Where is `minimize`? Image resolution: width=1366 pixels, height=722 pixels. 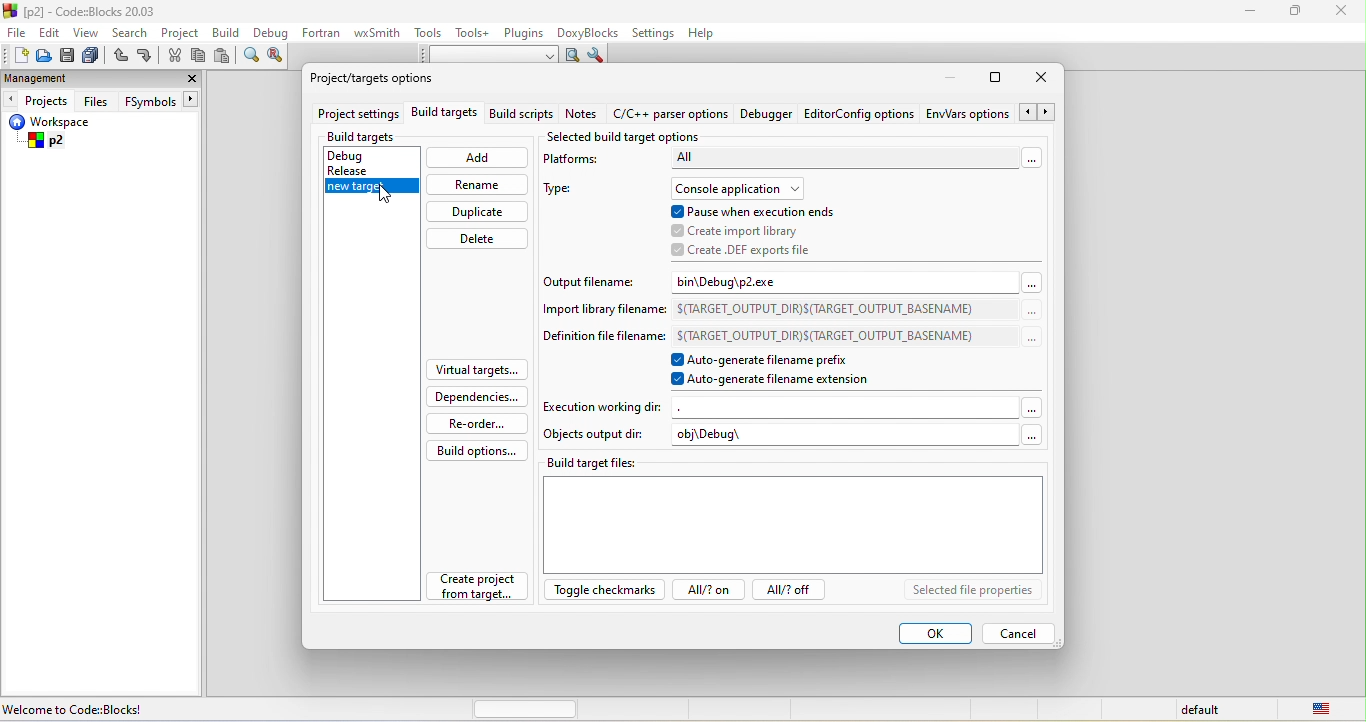 minimize is located at coordinates (1255, 15).